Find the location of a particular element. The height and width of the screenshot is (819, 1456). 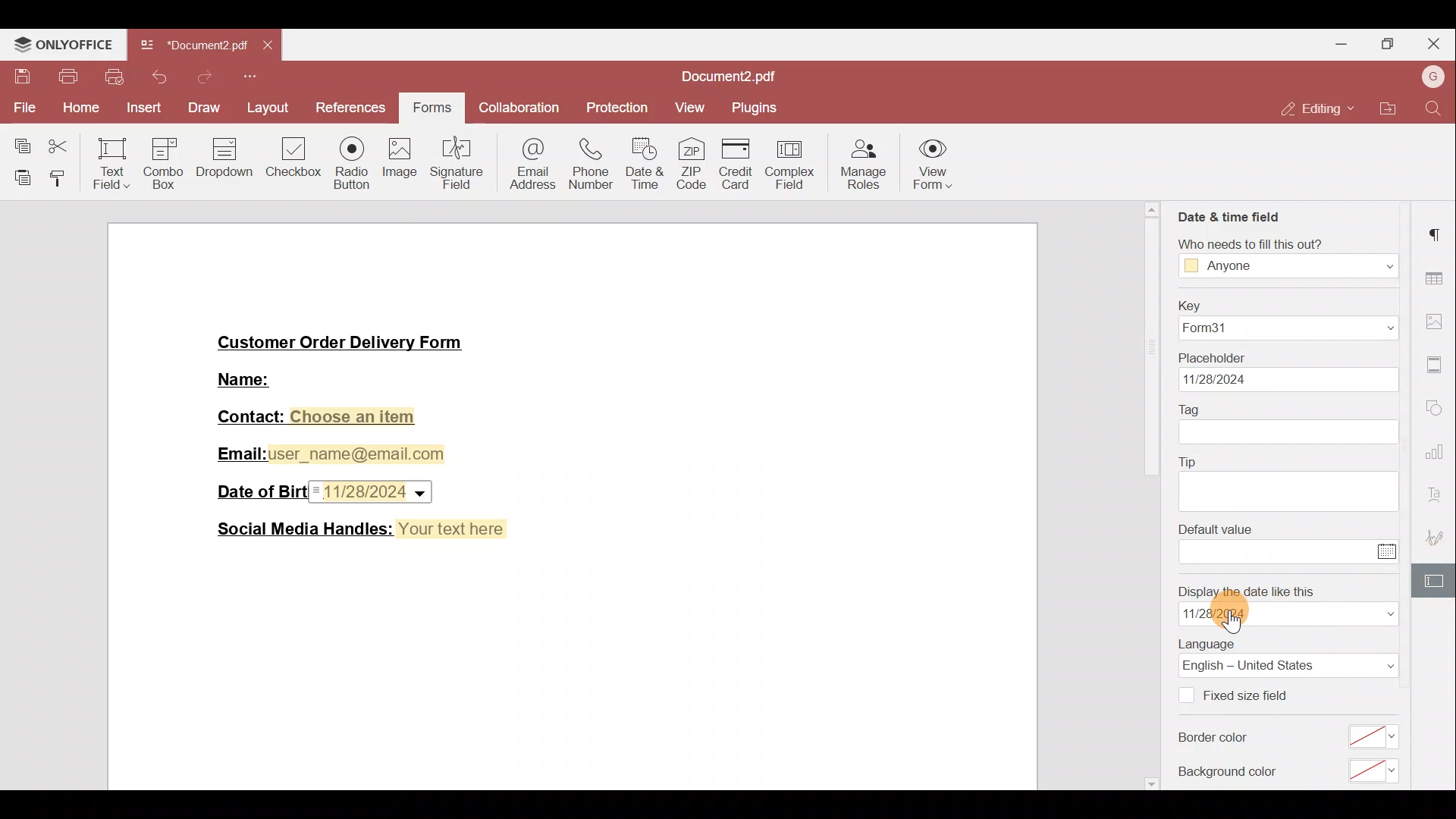

select background color is located at coordinates (1373, 770).